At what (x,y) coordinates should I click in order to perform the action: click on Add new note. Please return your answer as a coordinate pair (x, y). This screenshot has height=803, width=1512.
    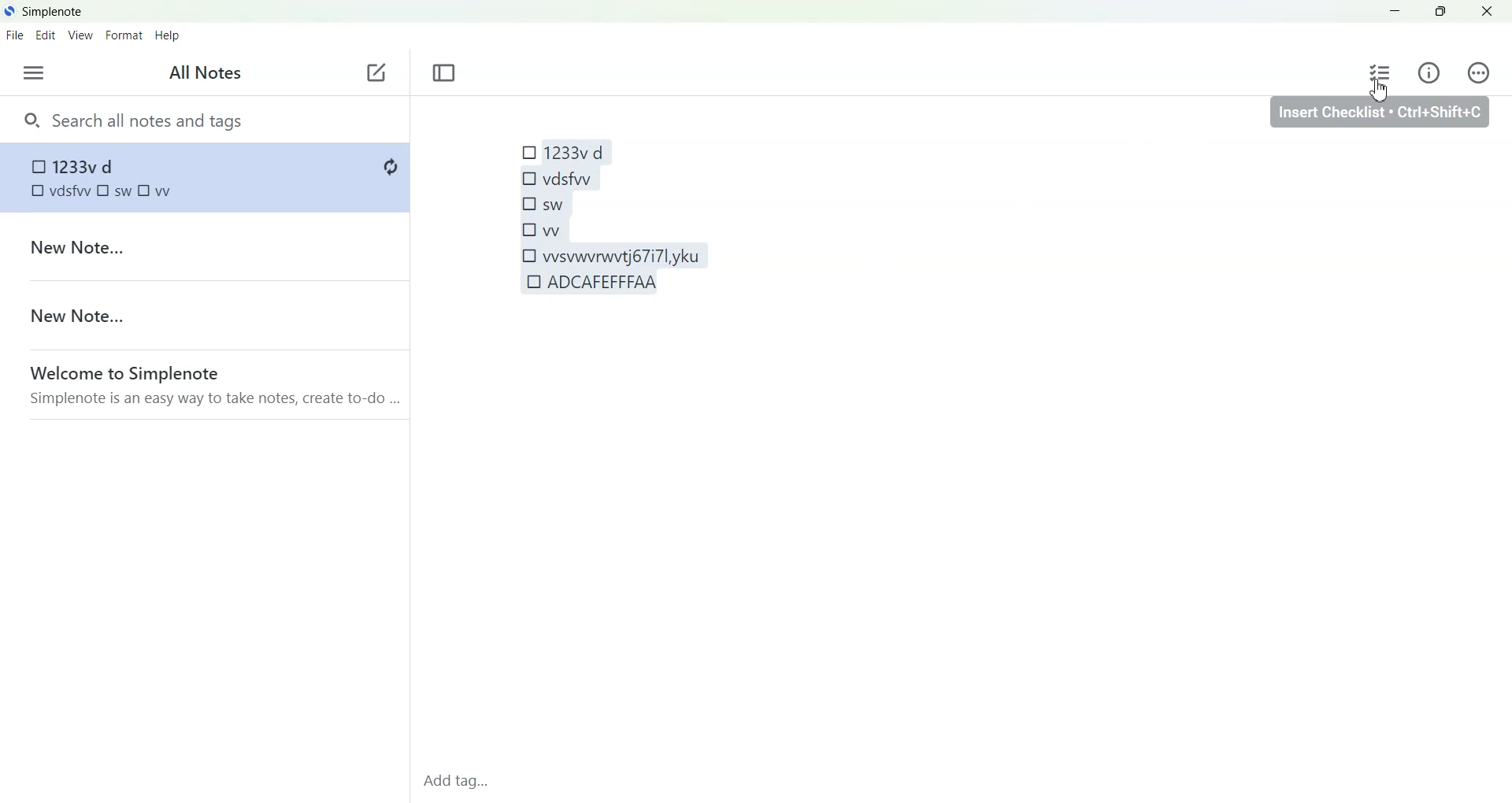
    Looking at the image, I should click on (376, 72).